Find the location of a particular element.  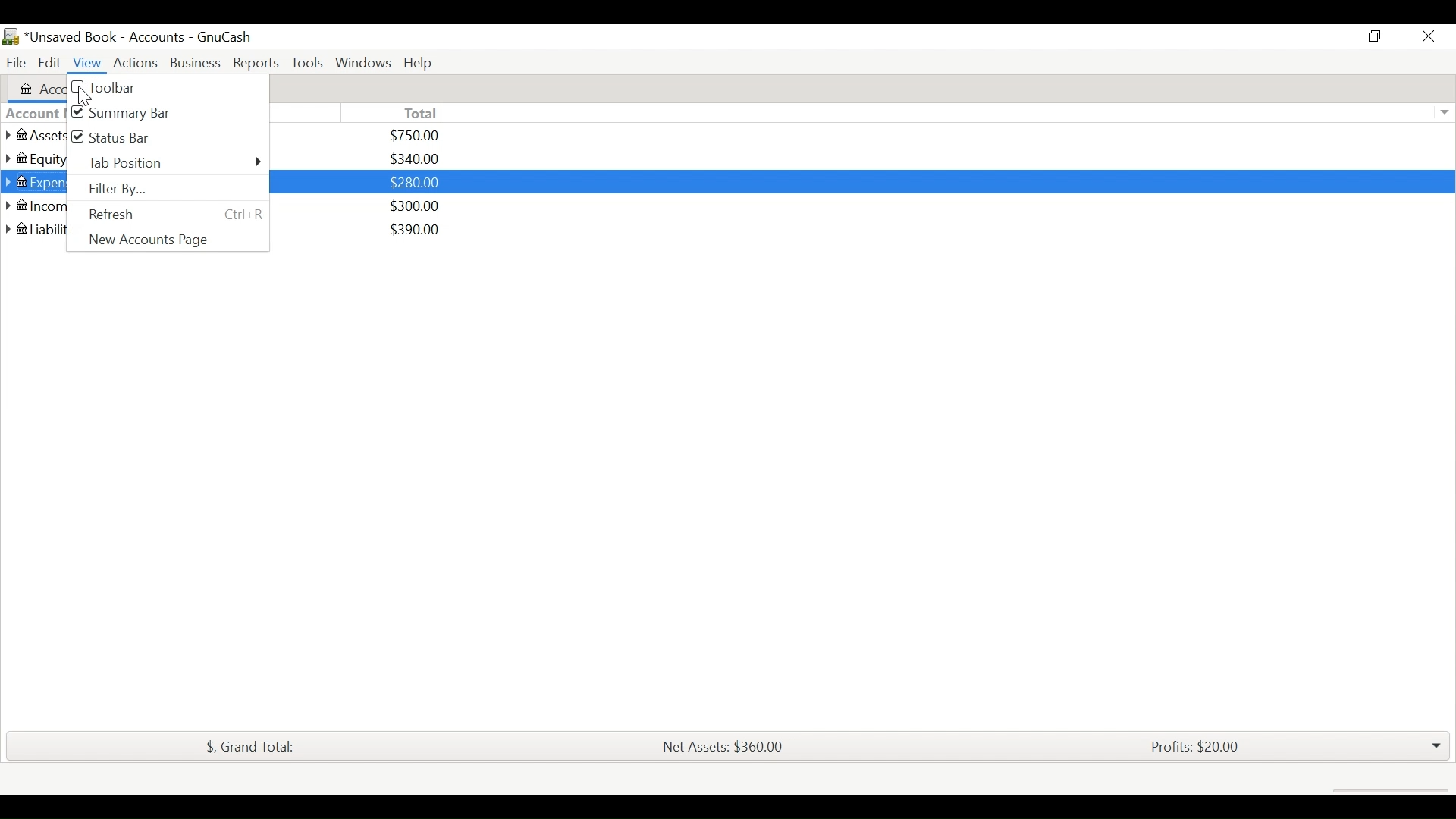

New Accounts Page is located at coordinates (168, 239).